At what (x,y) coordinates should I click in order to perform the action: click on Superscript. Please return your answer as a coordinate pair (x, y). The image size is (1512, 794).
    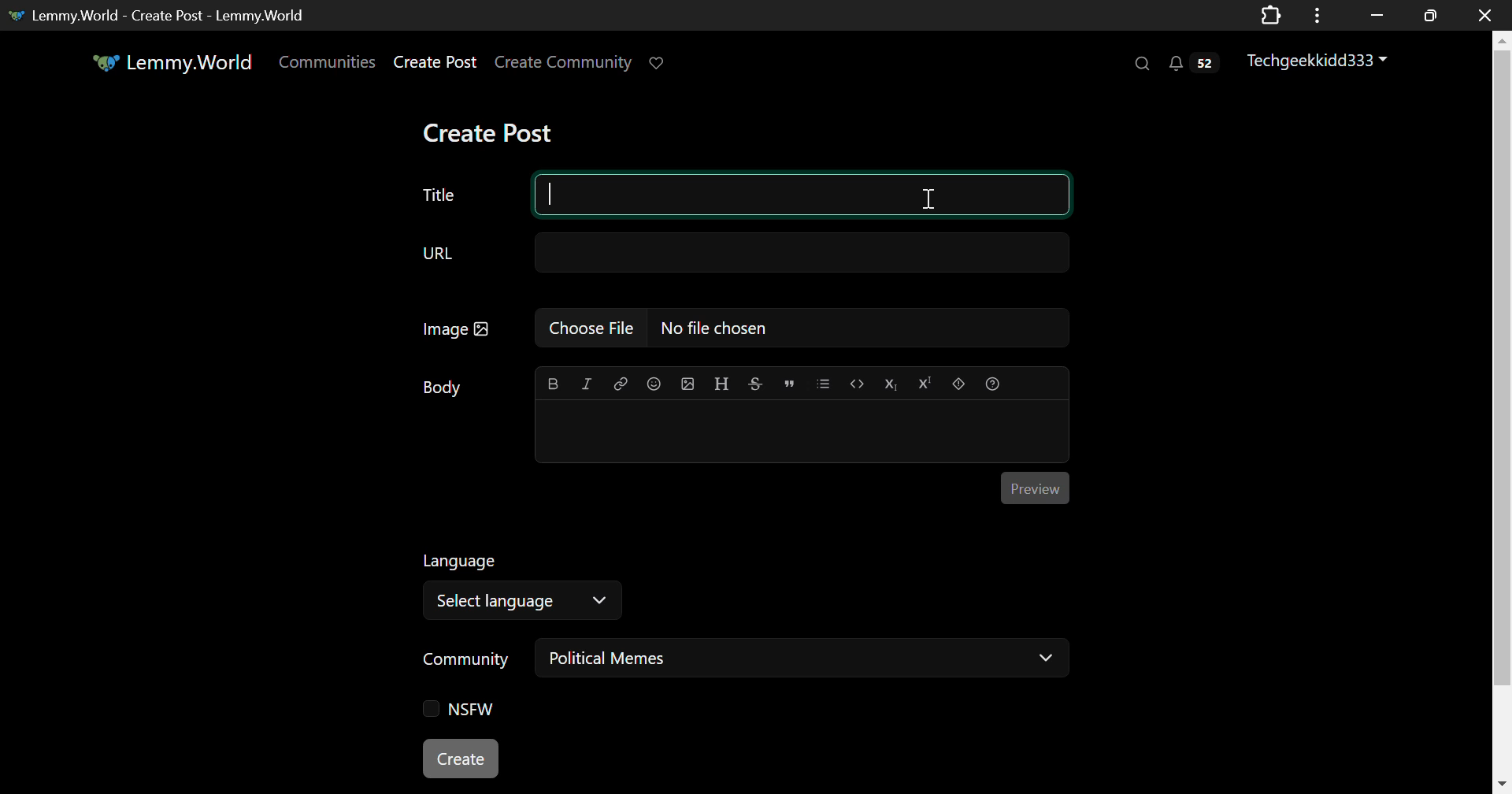
    Looking at the image, I should click on (925, 384).